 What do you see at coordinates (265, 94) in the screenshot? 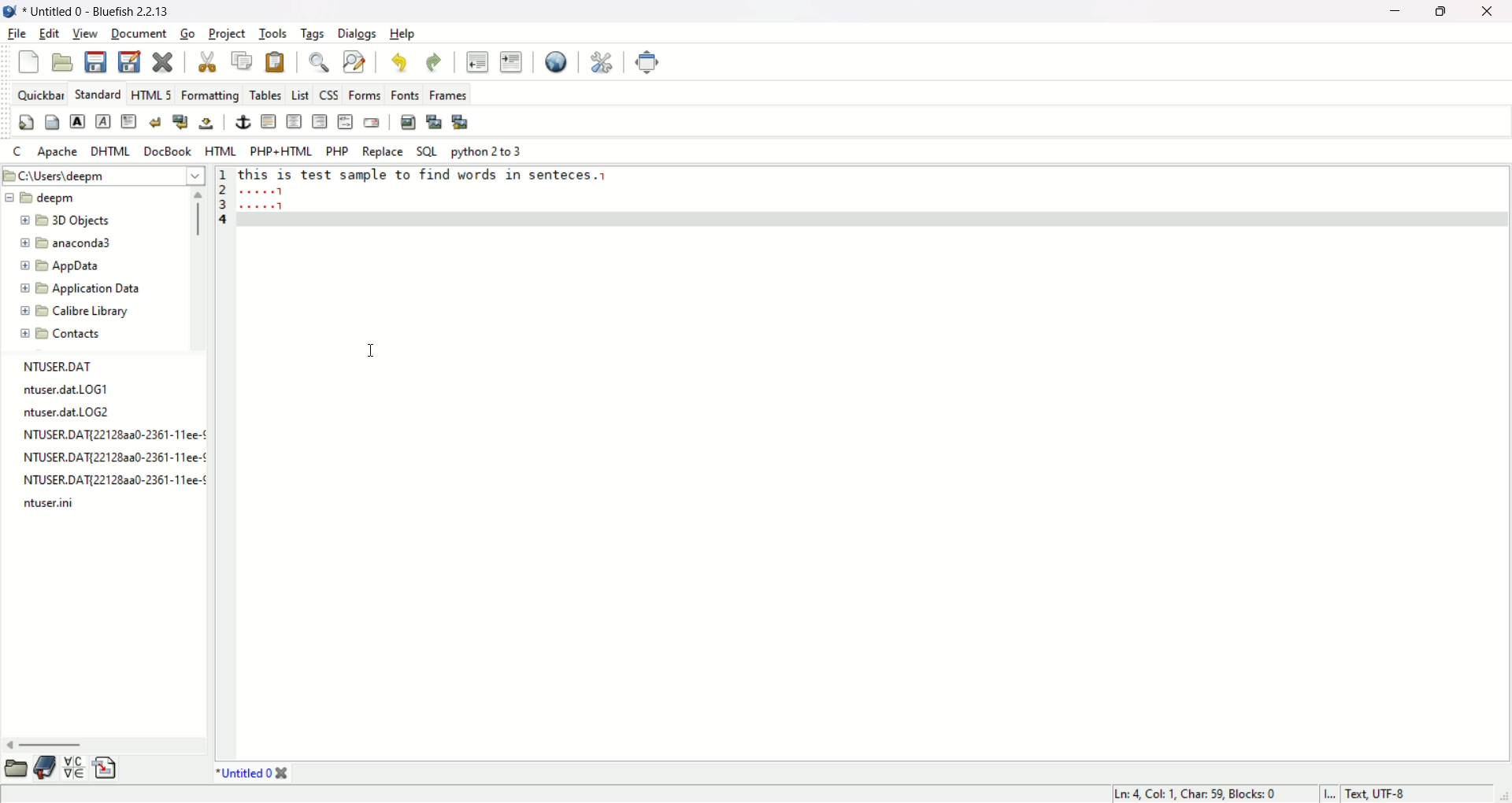
I see `tables` at bounding box center [265, 94].